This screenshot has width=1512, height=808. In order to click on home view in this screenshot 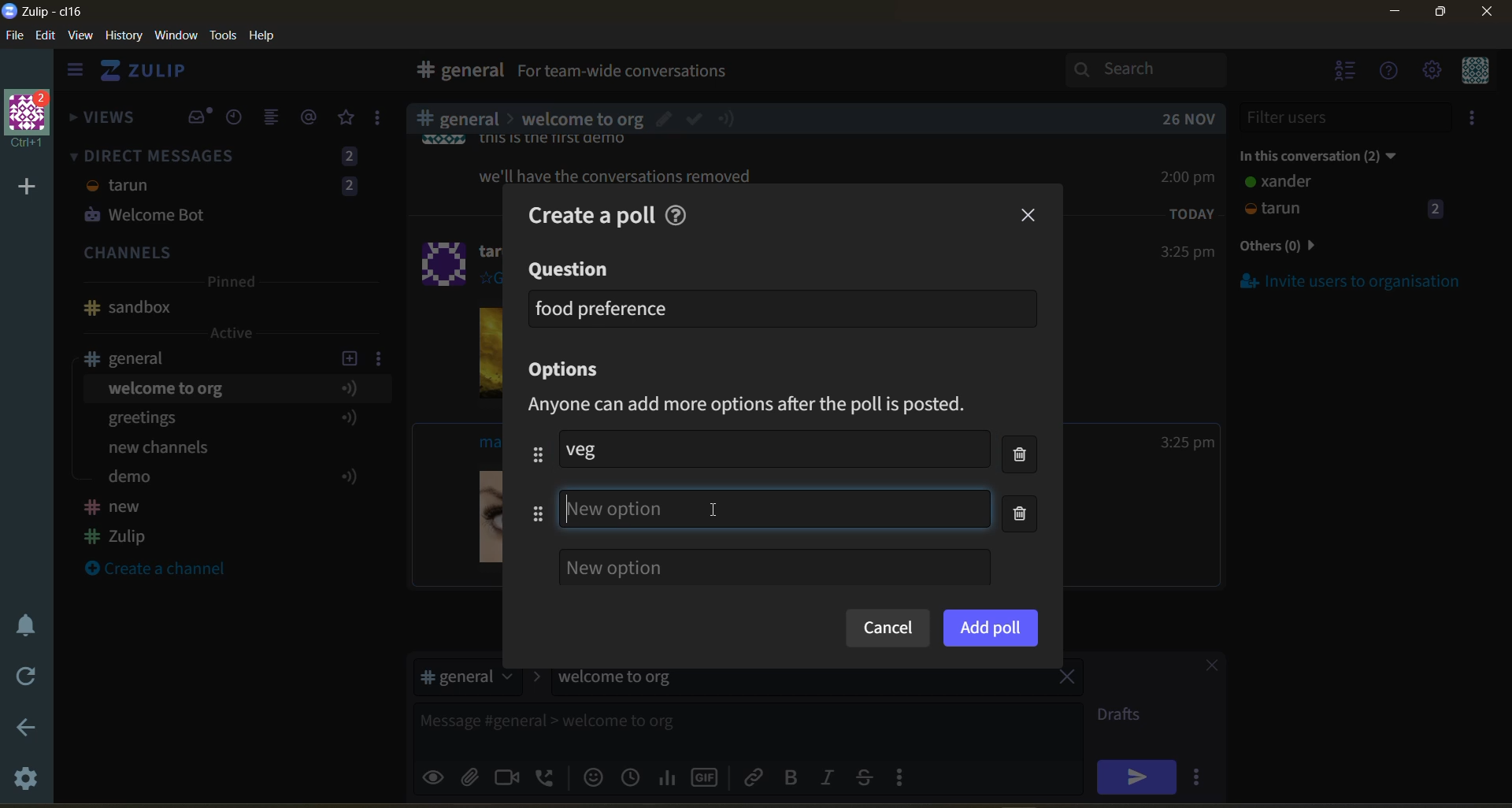, I will do `click(154, 75)`.